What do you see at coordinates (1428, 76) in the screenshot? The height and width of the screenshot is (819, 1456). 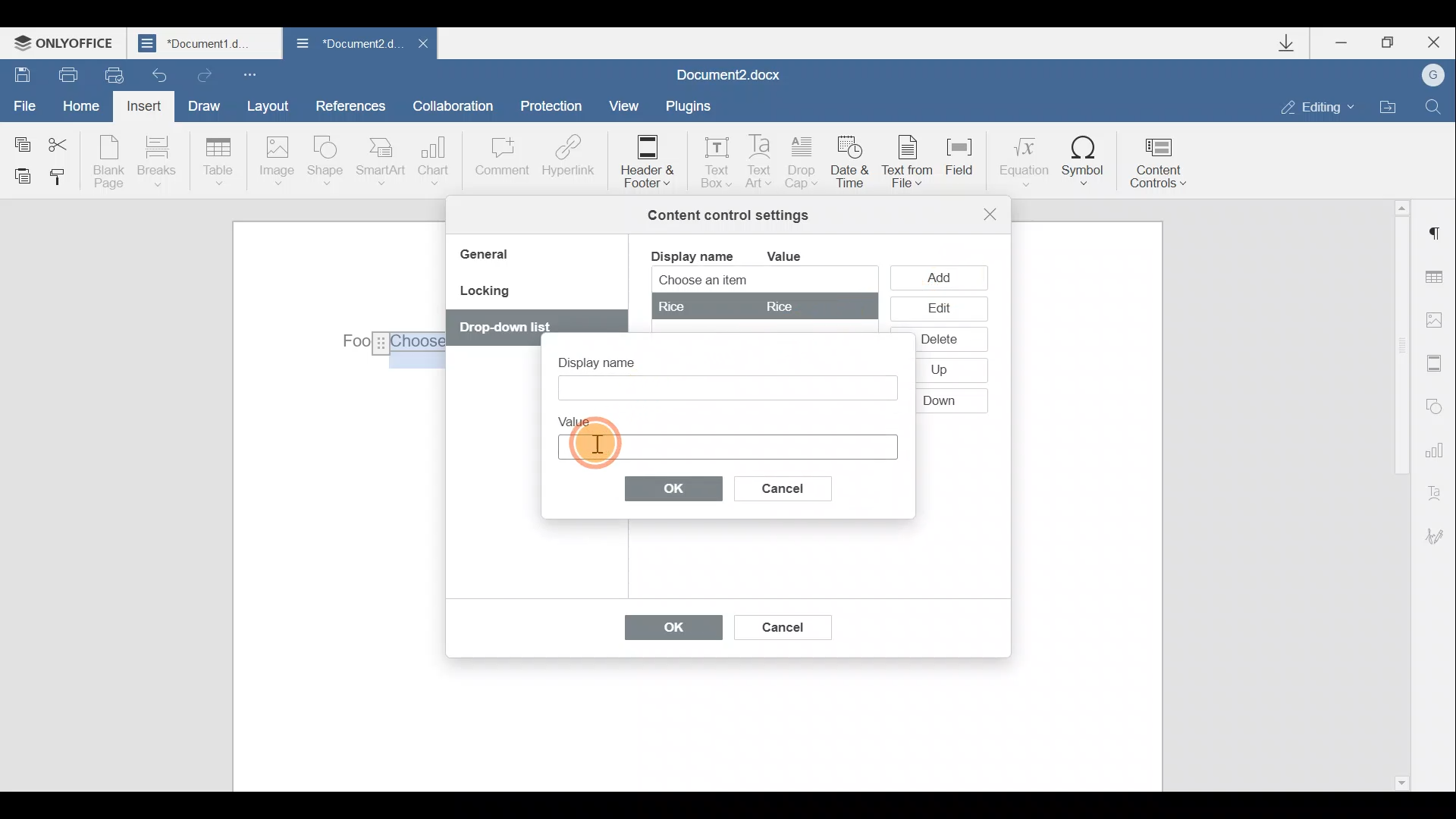 I see `Account name` at bounding box center [1428, 76].